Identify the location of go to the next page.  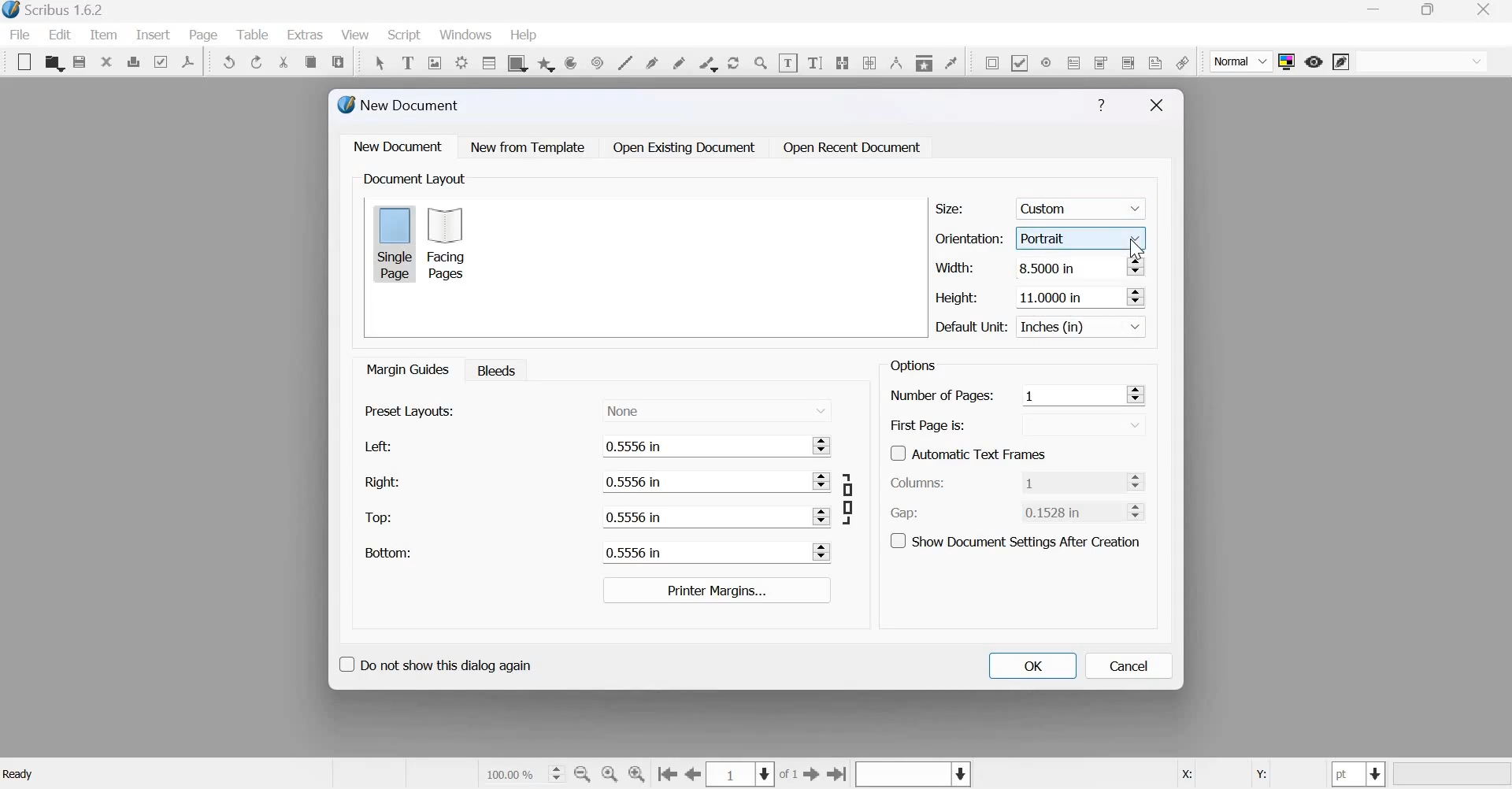
(812, 773).